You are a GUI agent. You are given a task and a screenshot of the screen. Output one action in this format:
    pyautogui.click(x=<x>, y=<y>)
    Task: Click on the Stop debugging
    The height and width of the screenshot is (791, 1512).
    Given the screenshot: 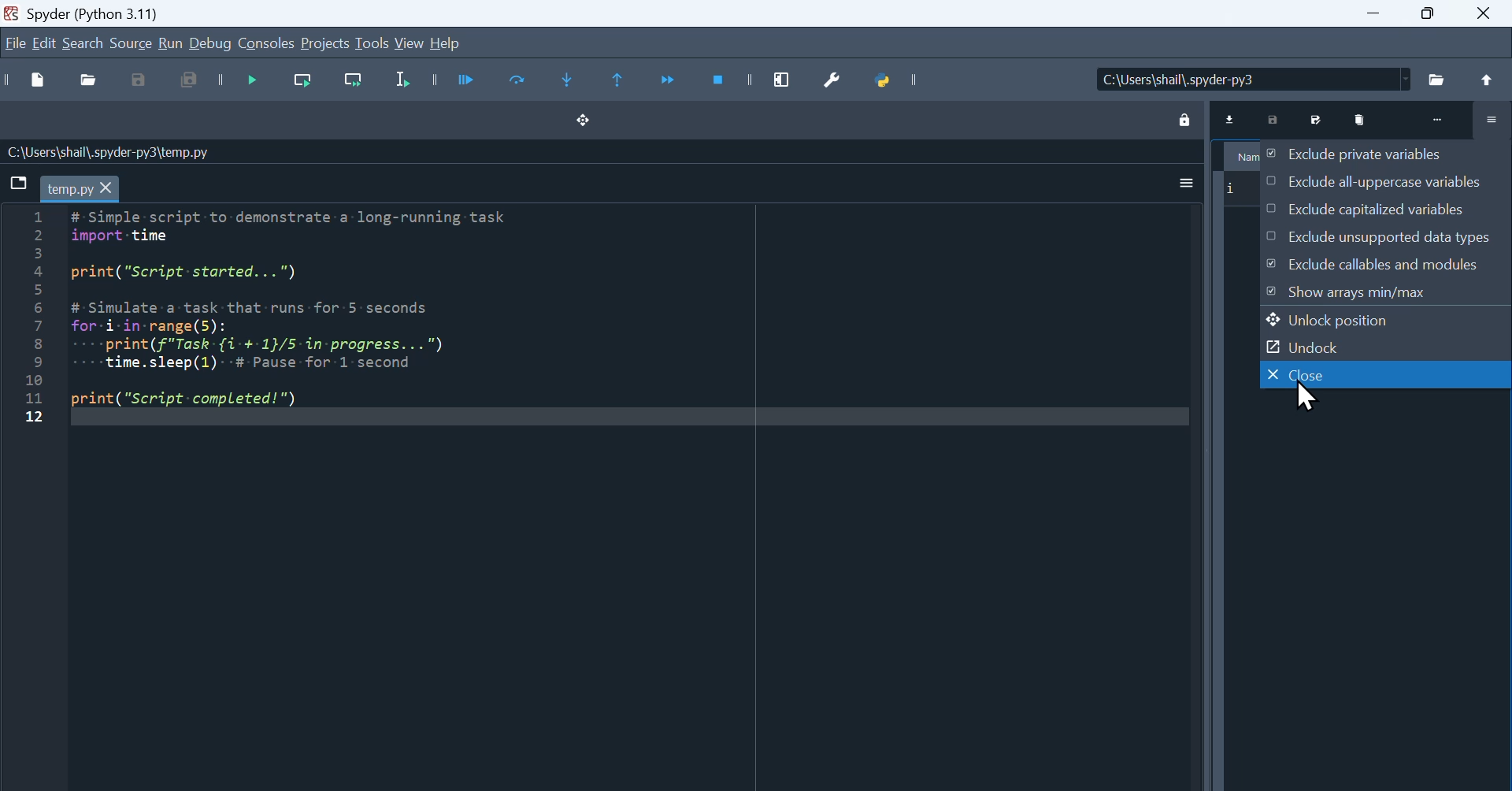 What is the action you would take?
    pyautogui.click(x=720, y=82)
    